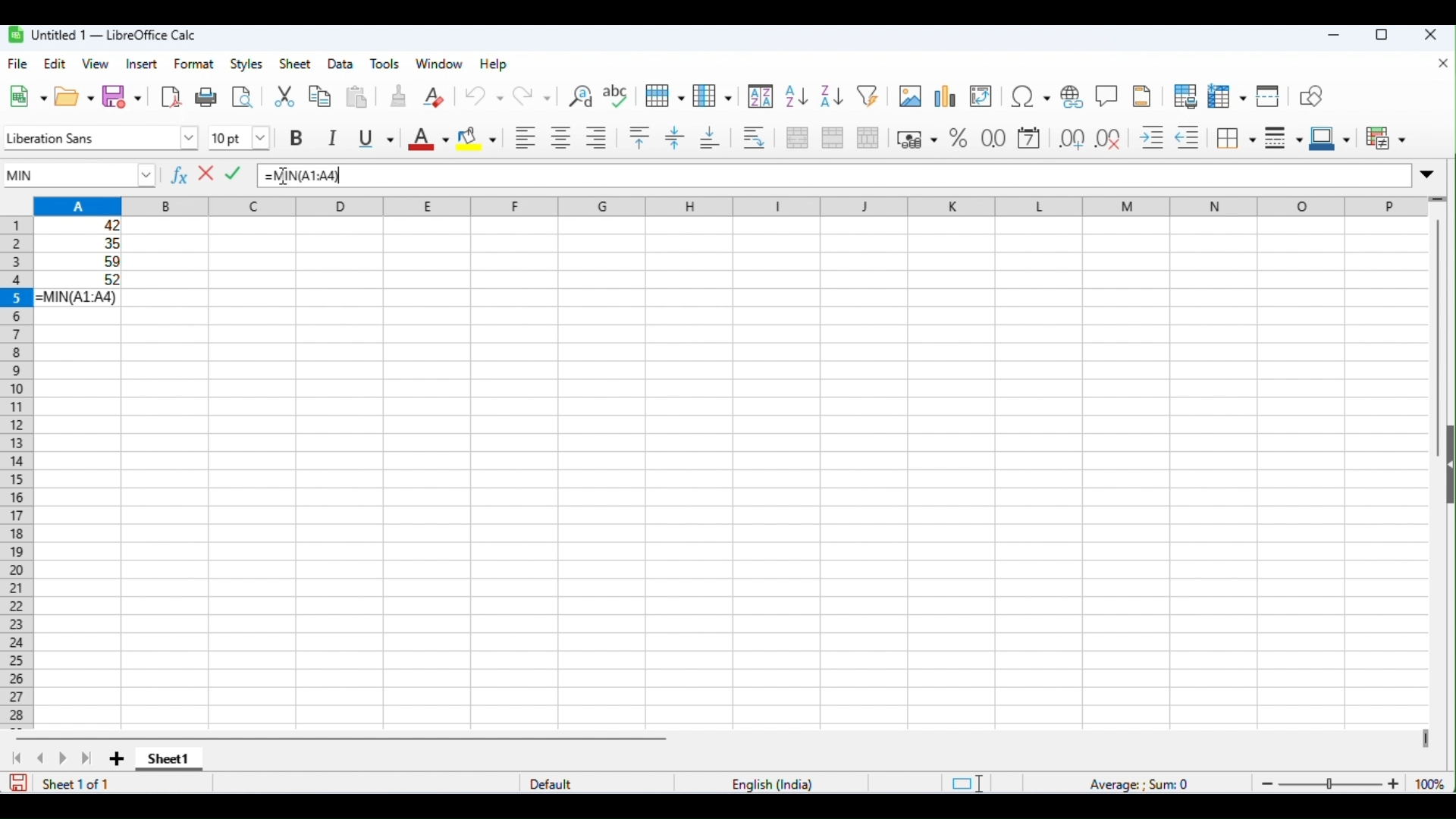  Describe the element at coordinates (81, 251) in the screenshot. I see `range of cells` at that location.